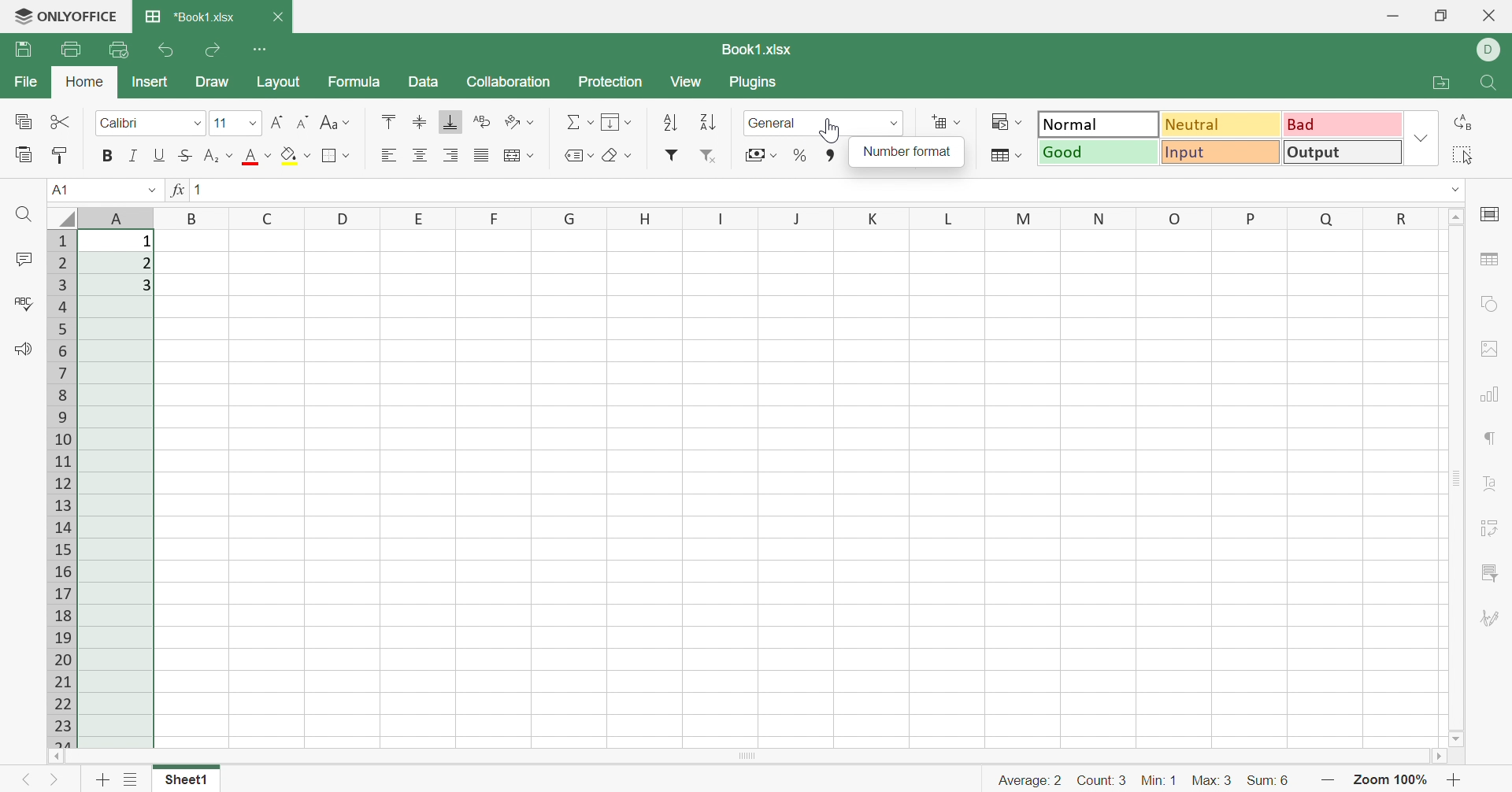  Describe the element at coordinates (23, 261) in the screenshot. I see `Comments` at that location.